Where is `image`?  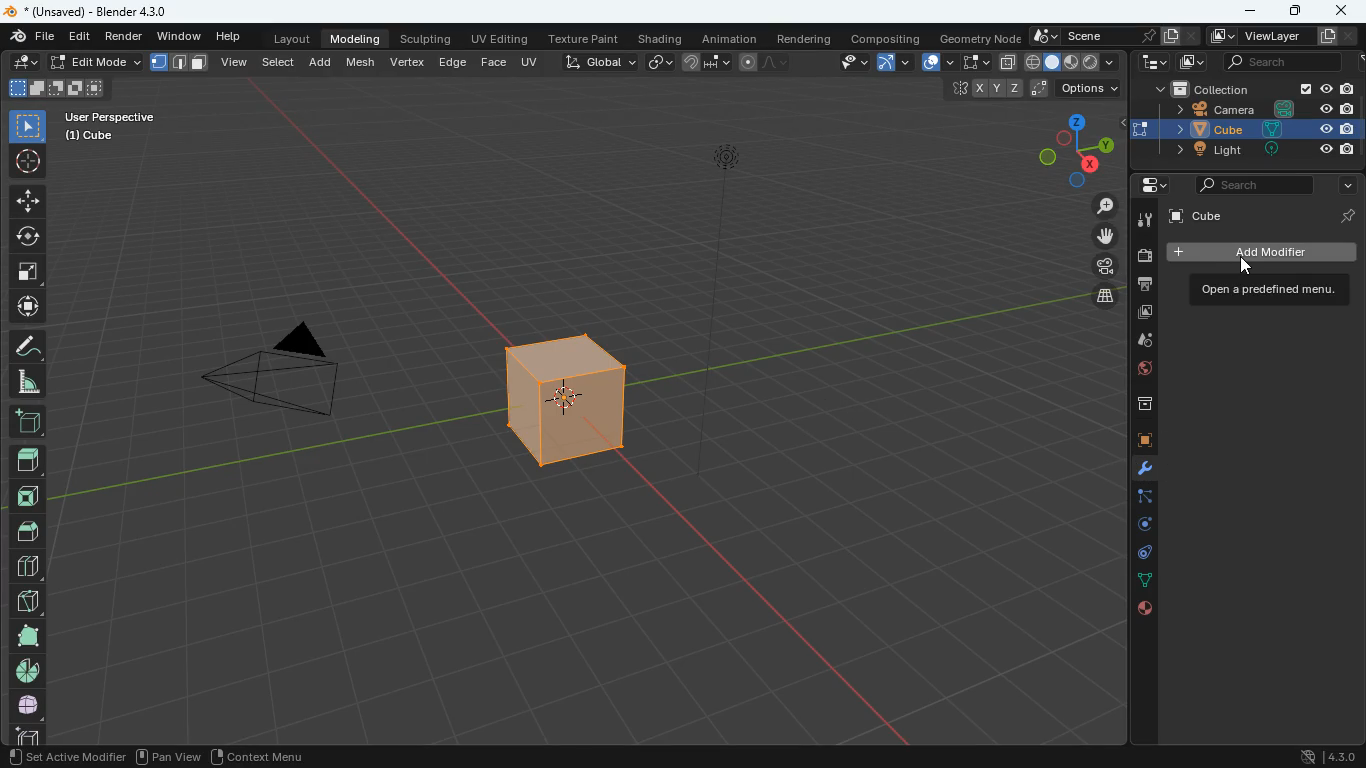
image is located at coordinates (1194, 65).